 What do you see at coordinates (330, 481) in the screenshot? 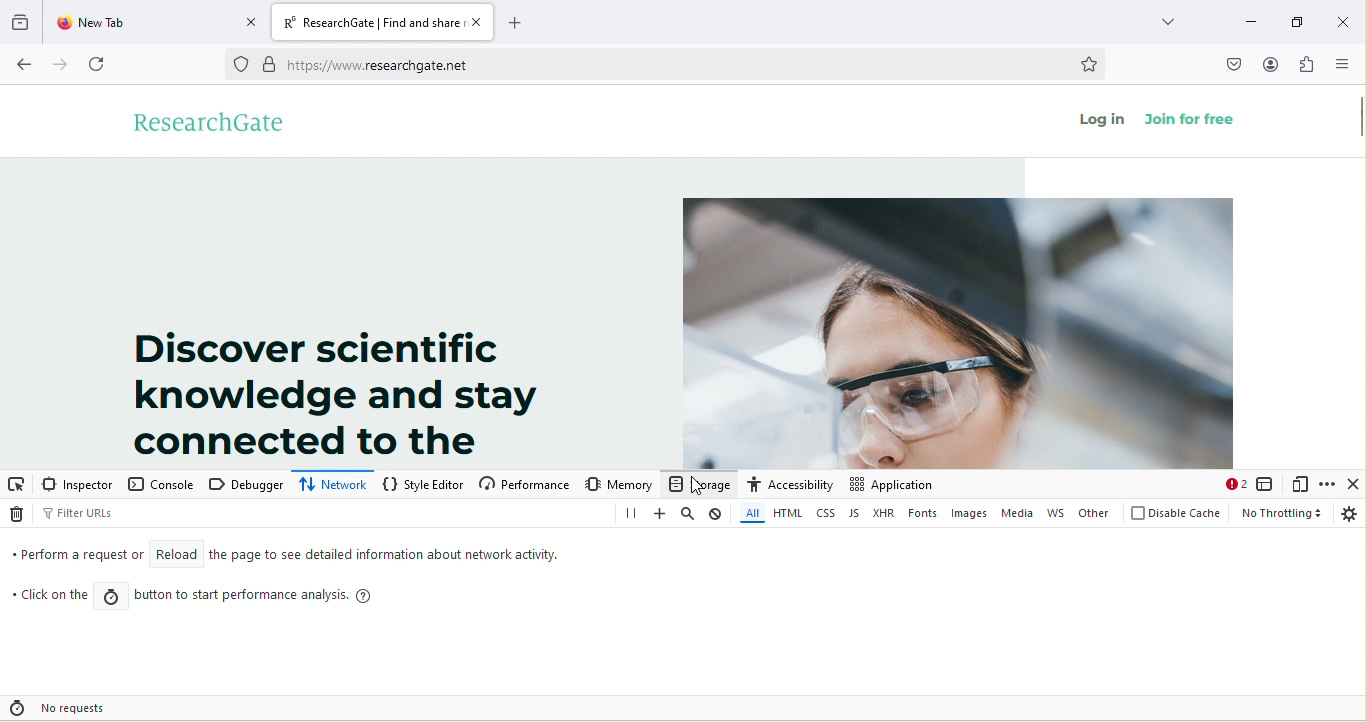
I see `network` at bounding box center [330, 481].